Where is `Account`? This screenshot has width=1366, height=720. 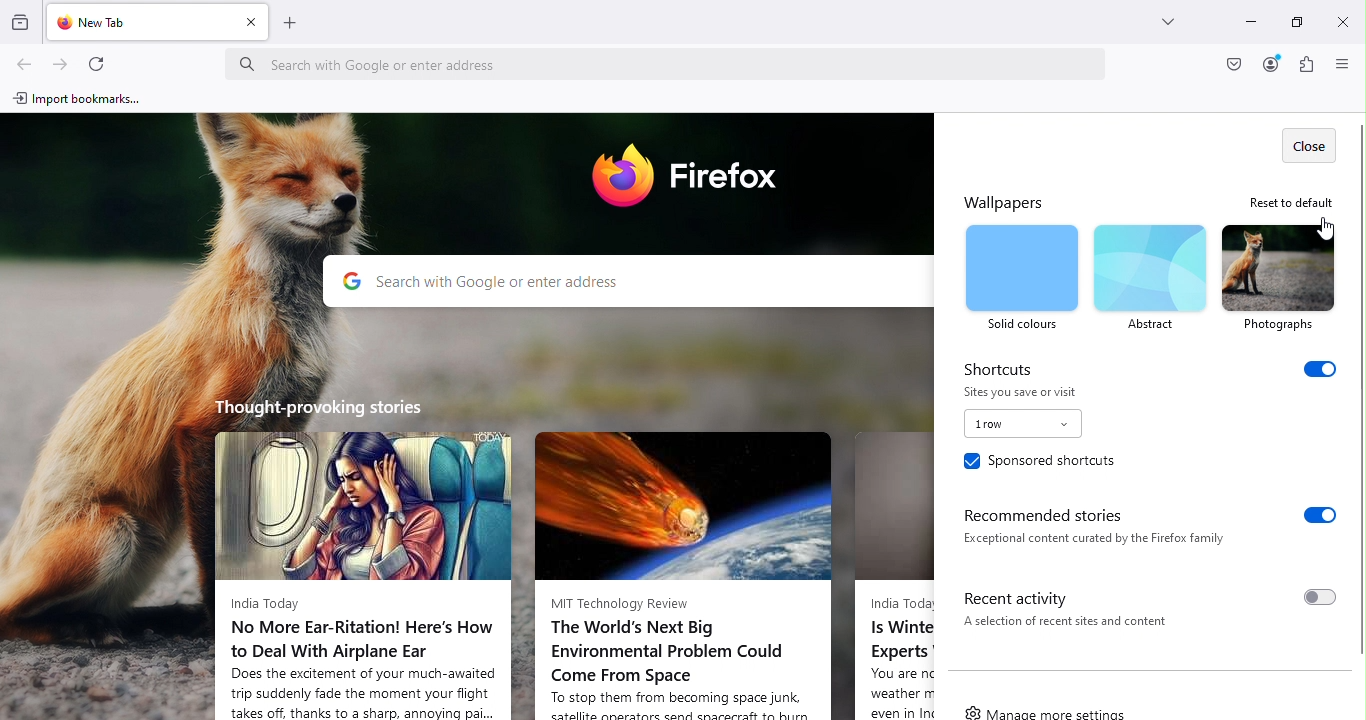 Account is located at coordinates (1269, 64).